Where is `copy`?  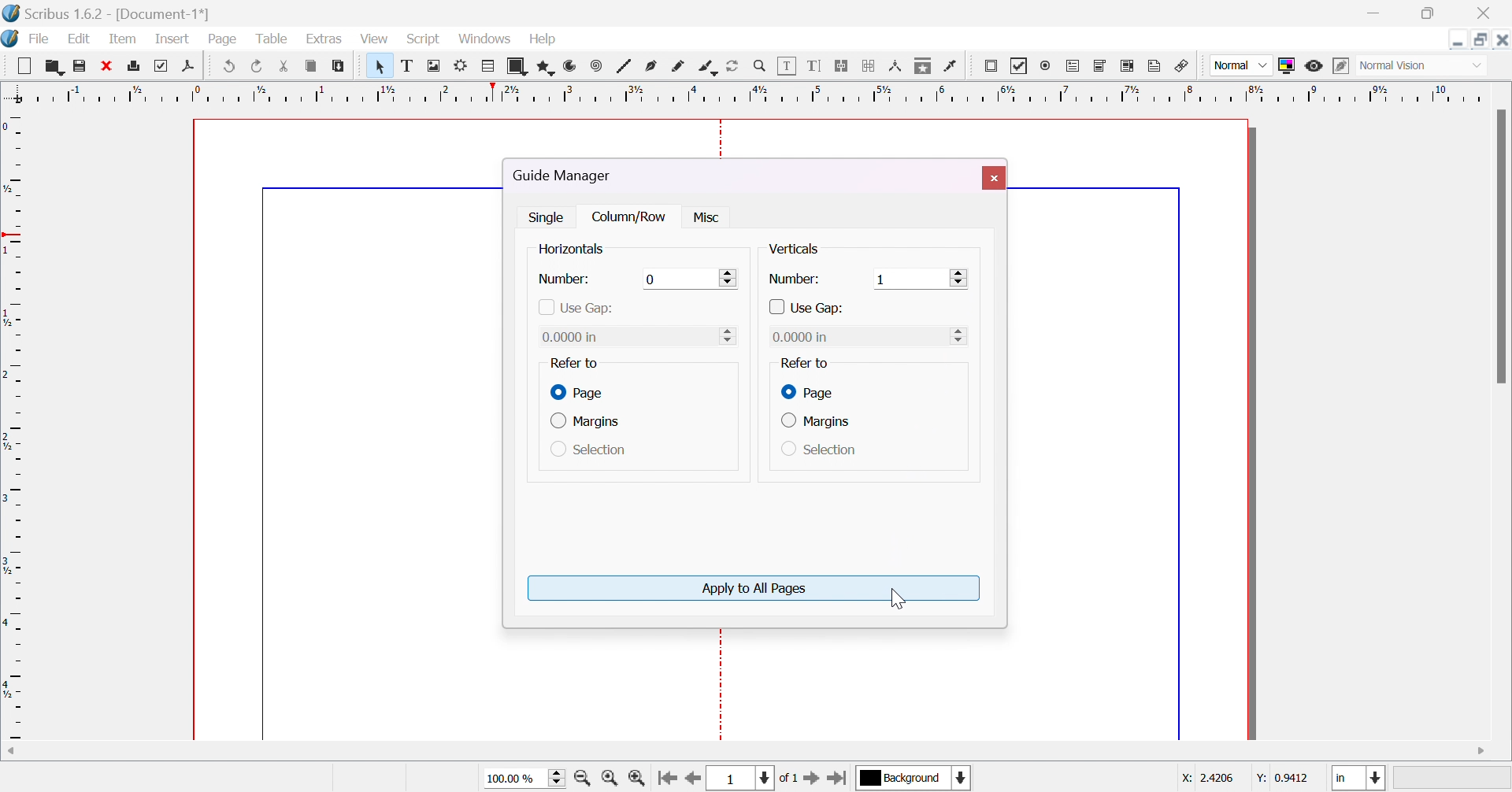
copy is located at coordinates (313, 65).